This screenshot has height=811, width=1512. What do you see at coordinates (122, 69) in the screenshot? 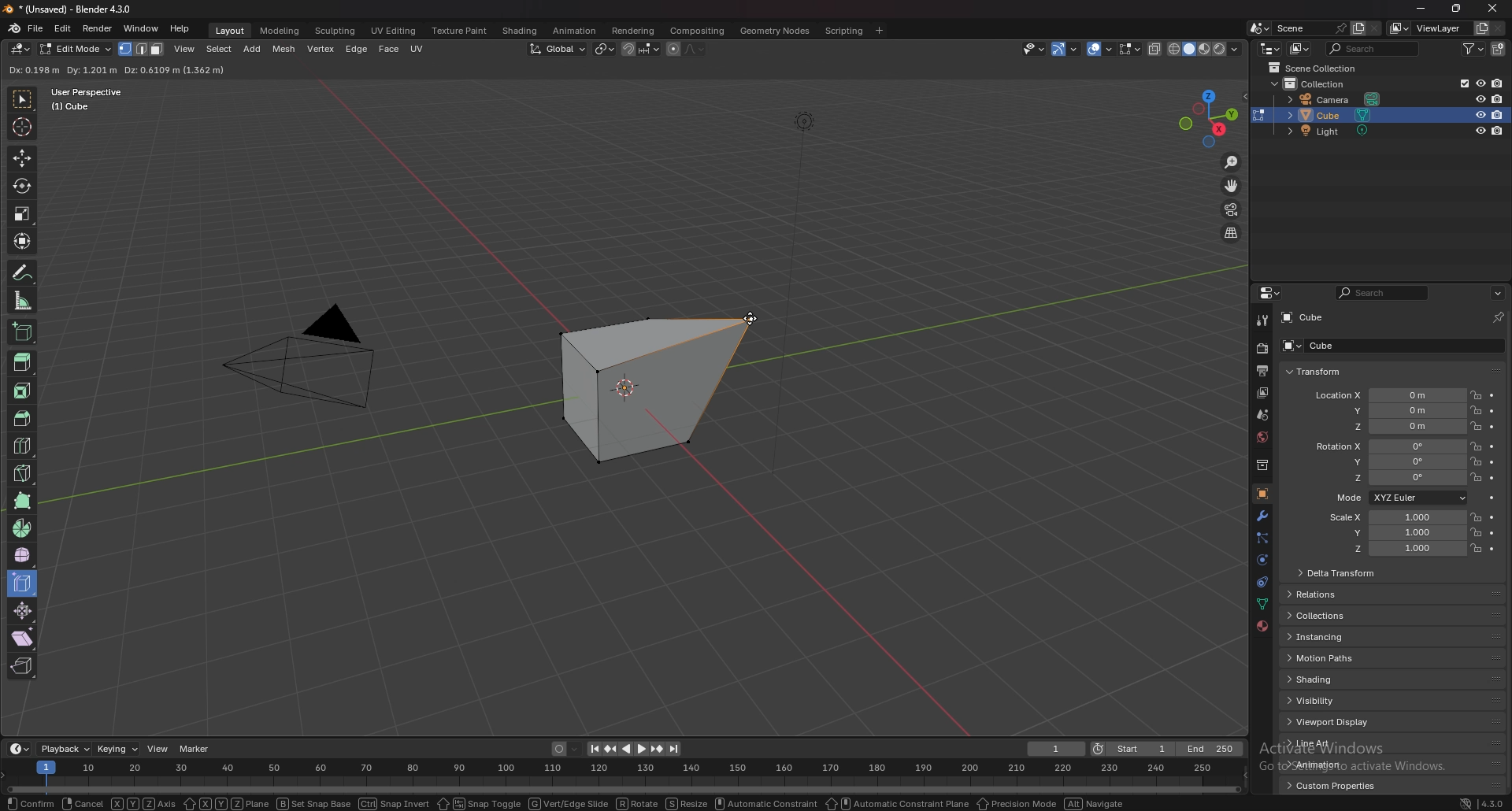
I see `info` at bounding box center [122, 69].